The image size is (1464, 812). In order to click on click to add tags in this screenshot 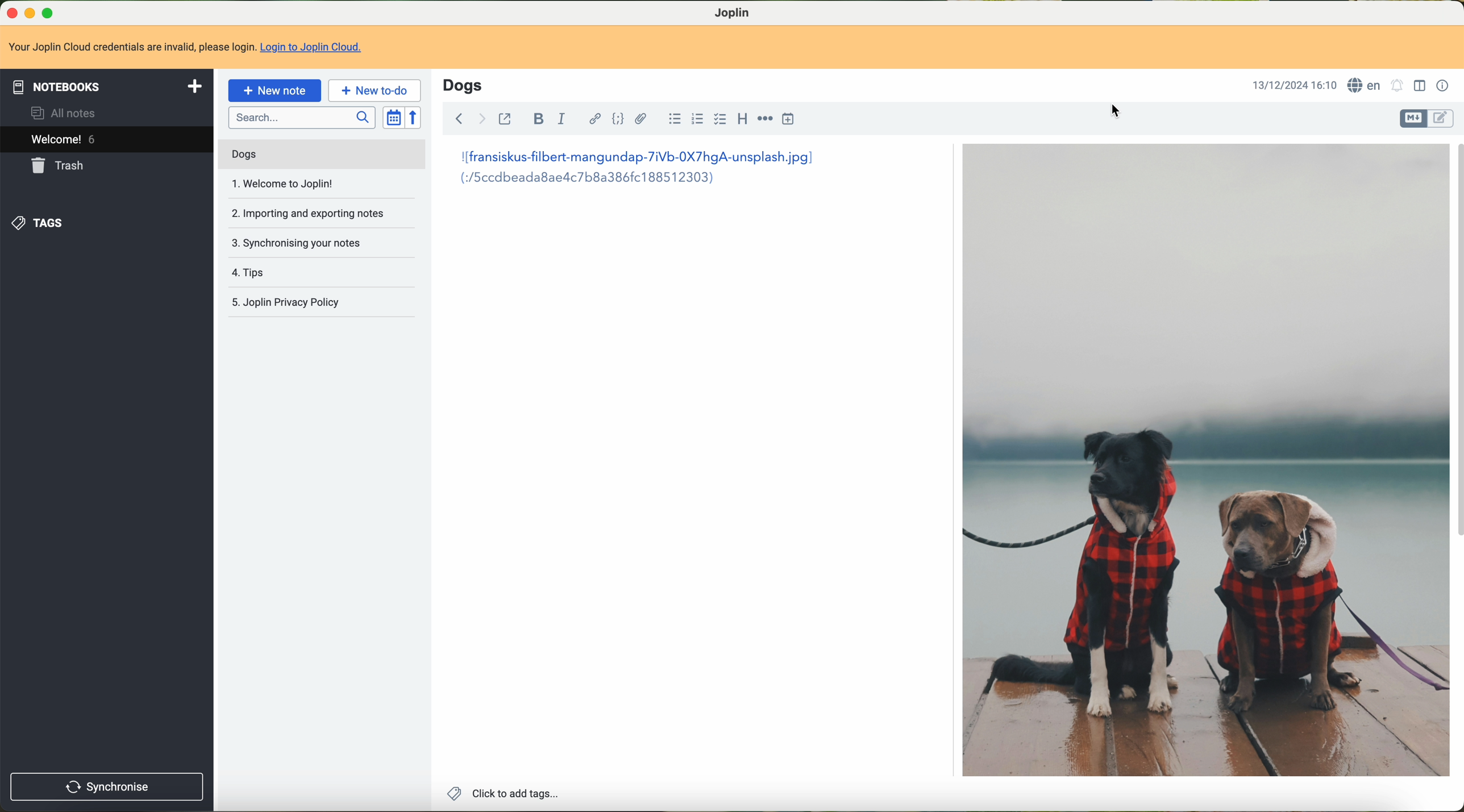, I will do `click(501, 793)`.